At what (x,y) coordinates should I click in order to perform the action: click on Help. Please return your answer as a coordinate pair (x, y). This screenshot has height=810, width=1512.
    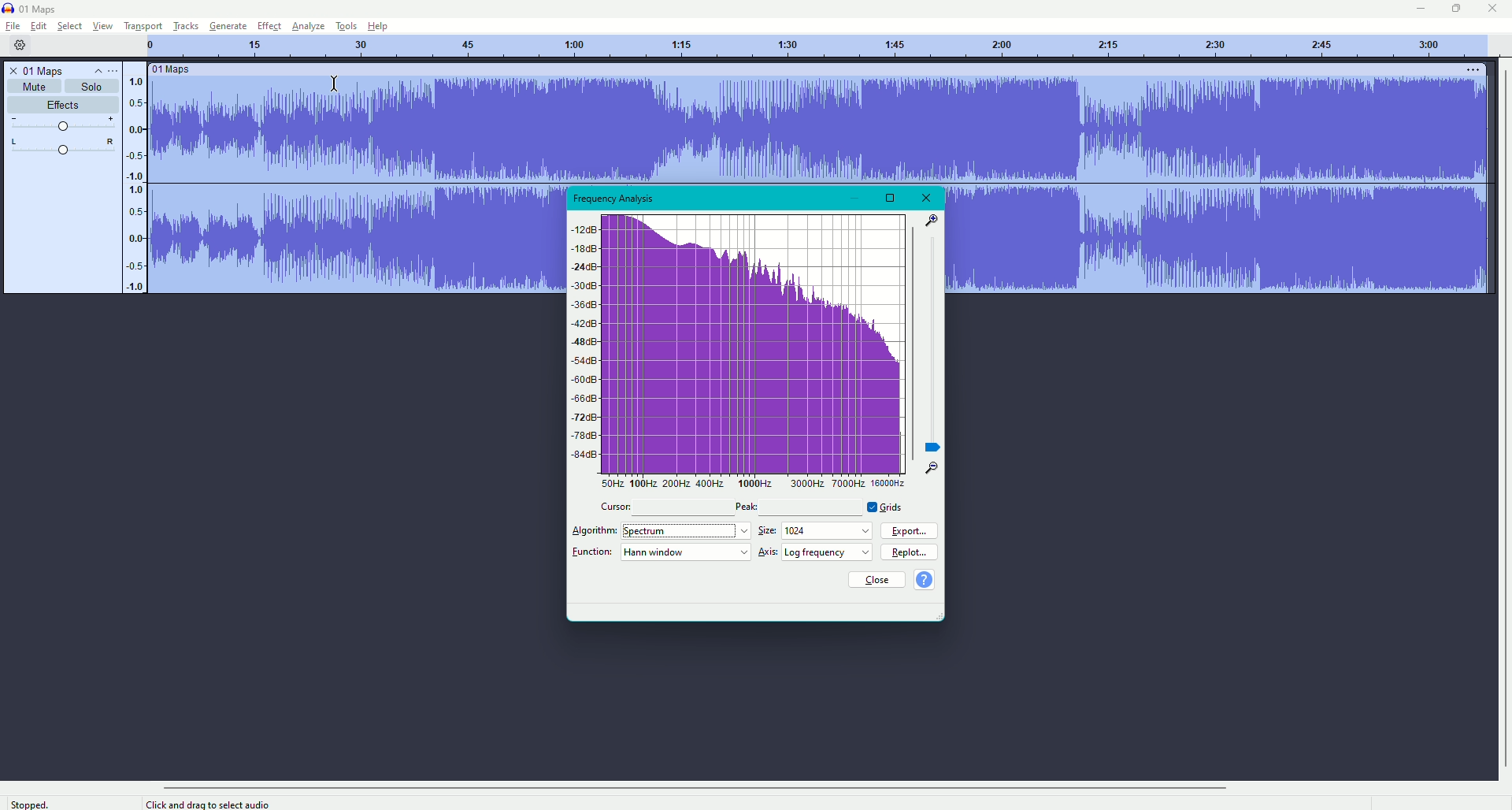
    Looking at the image, I should click on (375, 25).